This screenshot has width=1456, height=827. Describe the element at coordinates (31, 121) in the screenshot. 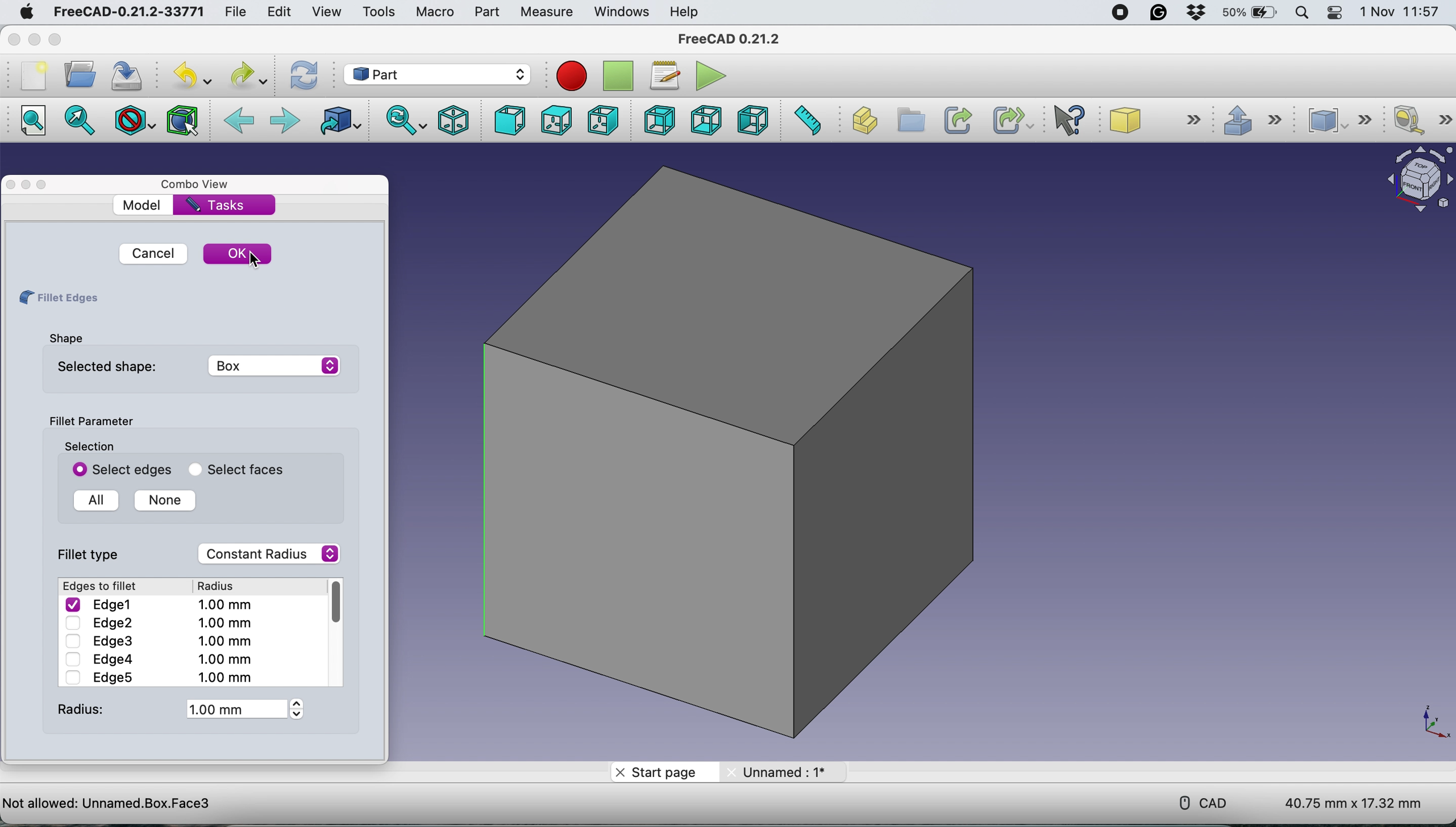

I see `fit all` at that location.